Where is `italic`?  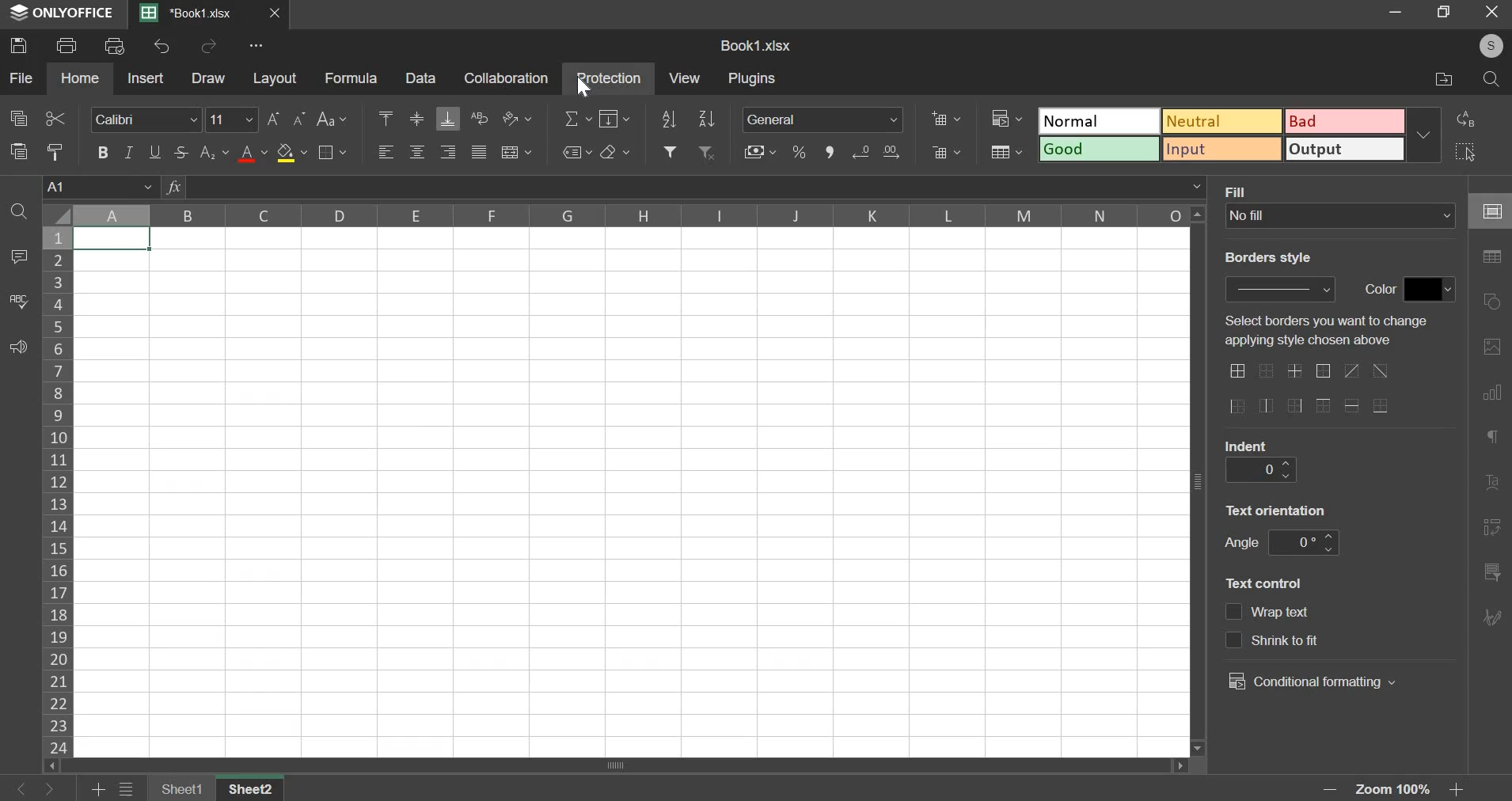
italic is located at coordinates (127, 151).